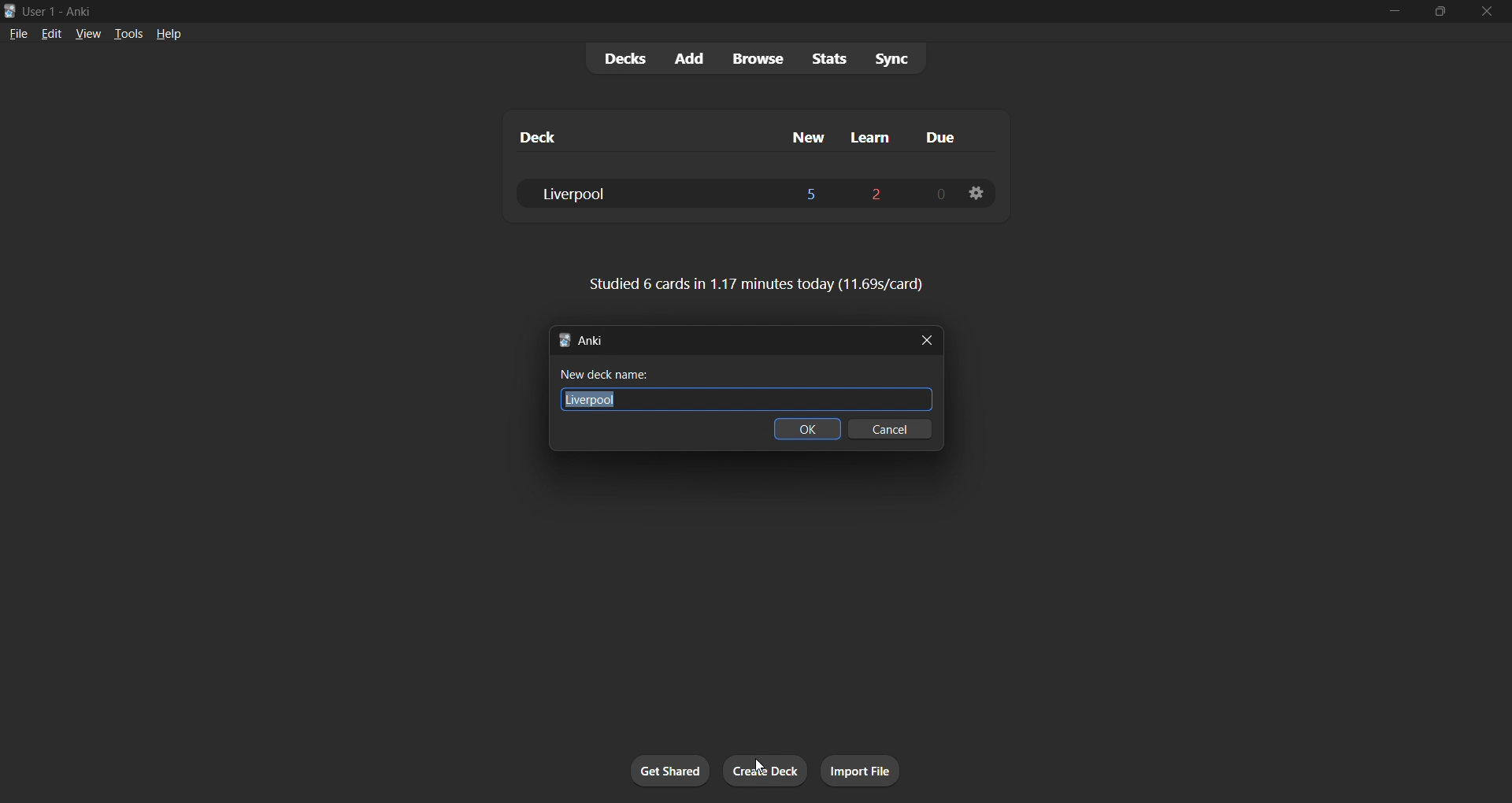 The height and width of the screenshot is (803, 1512). What do you see at coordinates (755, 60) in the screenshot?
I see `browse` at bounding box center [755, 60].